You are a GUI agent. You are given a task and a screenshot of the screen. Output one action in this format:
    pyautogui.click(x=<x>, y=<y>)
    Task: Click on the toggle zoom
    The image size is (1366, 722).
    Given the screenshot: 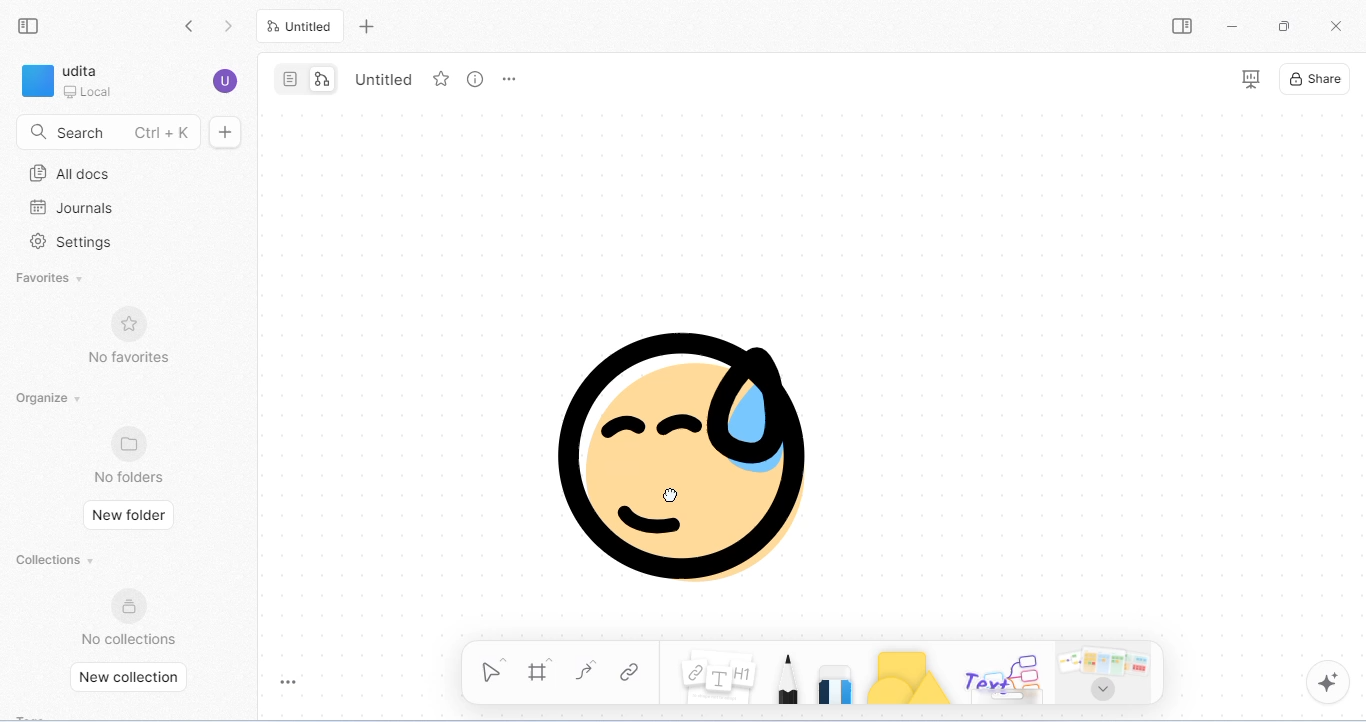 What is the action you would take?
    pyautogui.click(x=291, y=681)
    